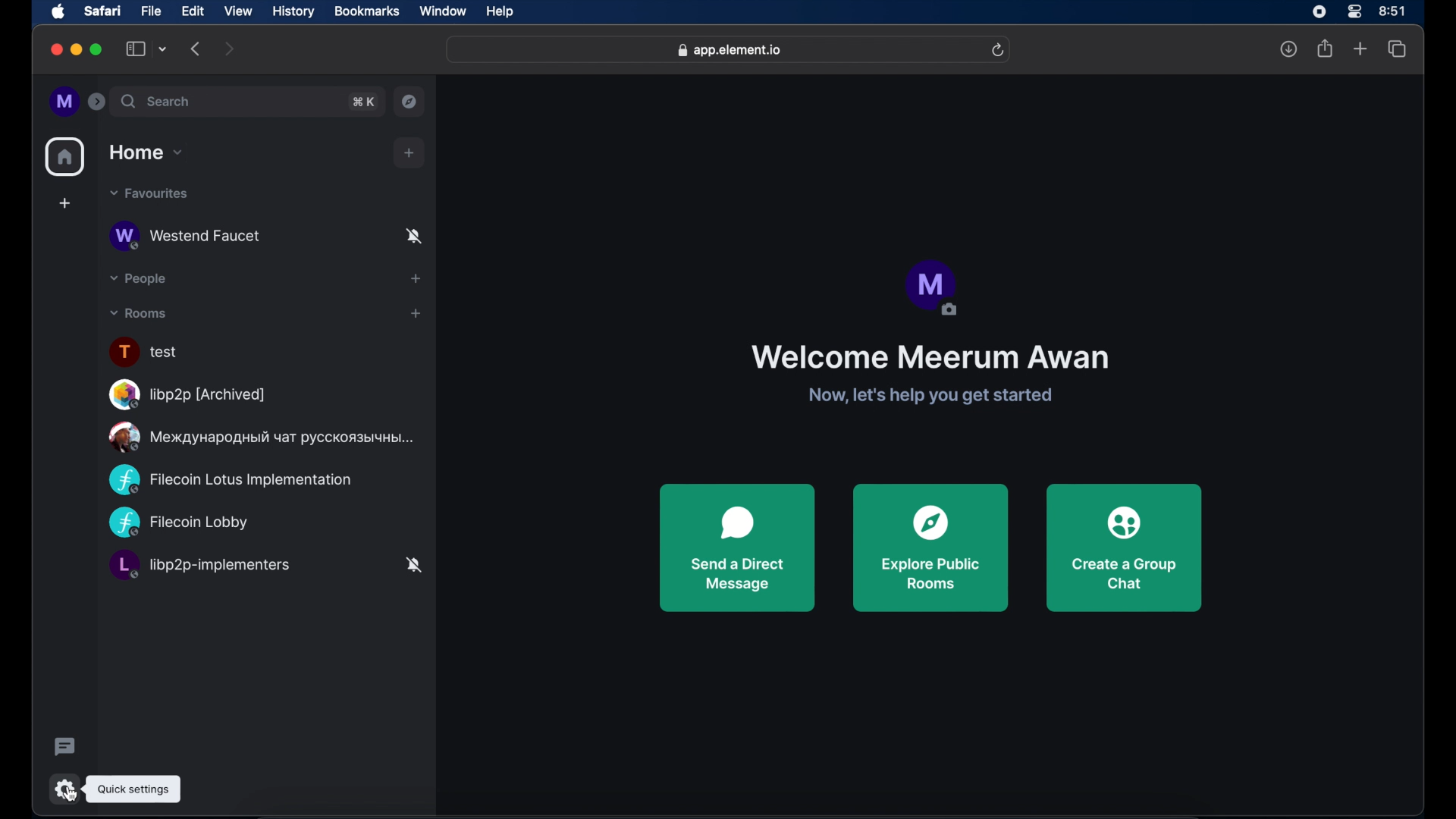 The width and height of the screenshot is (1456, 819). I want to click on screen recorder icon, so click(1317, 12).